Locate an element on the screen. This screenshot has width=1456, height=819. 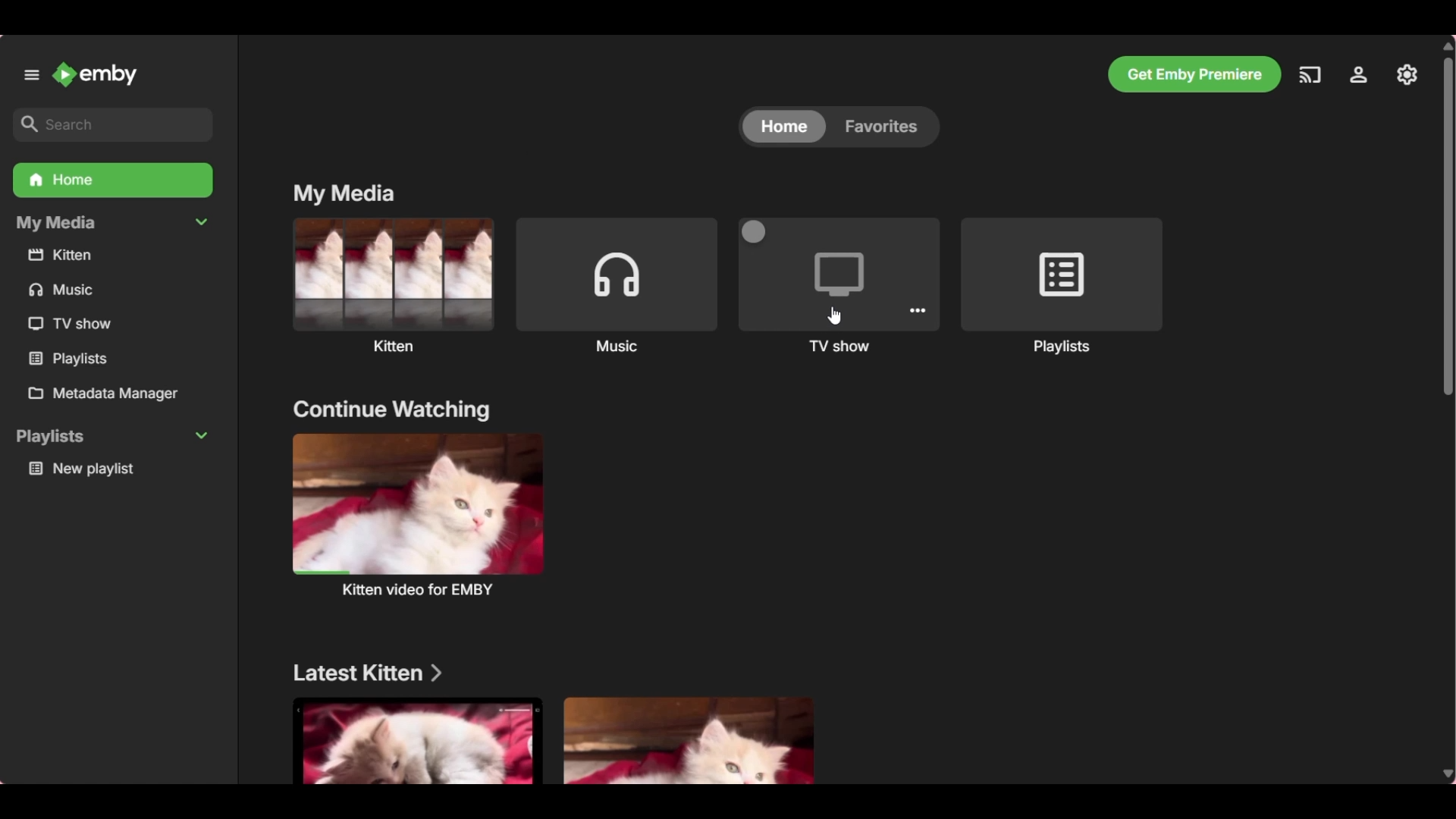
Media under mentioned title is located at coordinates (687, 739).